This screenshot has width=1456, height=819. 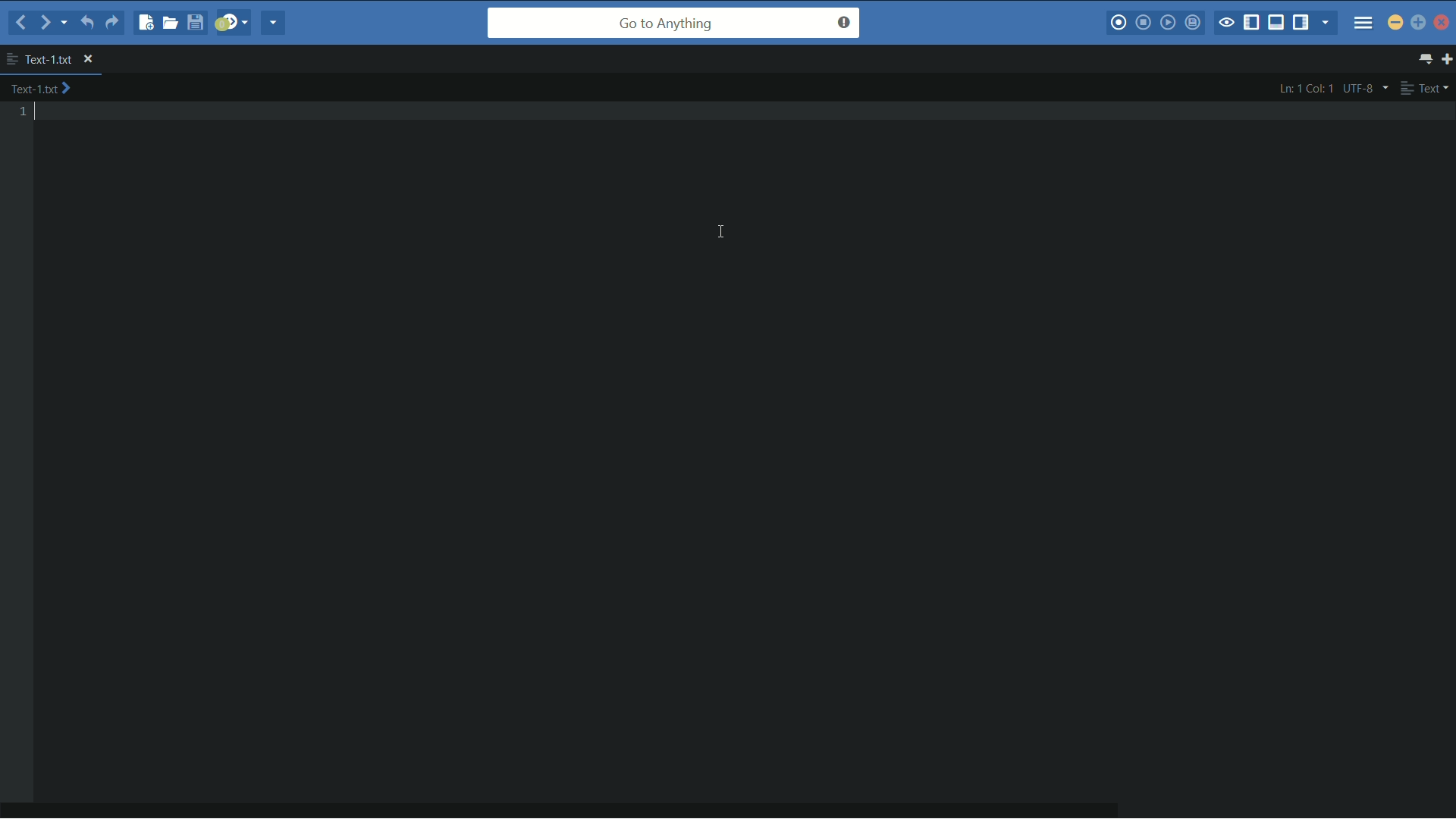 What do you see at coordinates (42, 22) in the screenshot?
I see `forward` at bounding box center [42, 22].